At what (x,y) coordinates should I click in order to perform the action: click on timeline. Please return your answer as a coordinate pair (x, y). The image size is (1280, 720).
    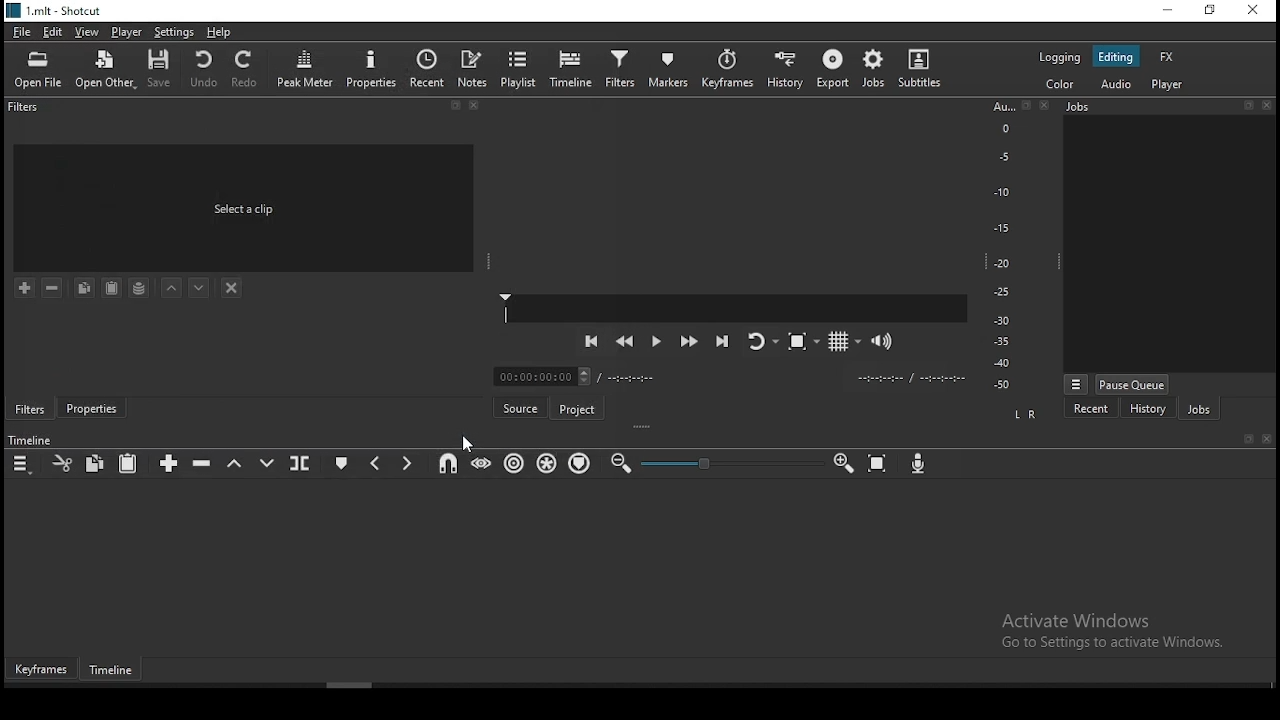
    Looking at the image, I should click on (571, 67).